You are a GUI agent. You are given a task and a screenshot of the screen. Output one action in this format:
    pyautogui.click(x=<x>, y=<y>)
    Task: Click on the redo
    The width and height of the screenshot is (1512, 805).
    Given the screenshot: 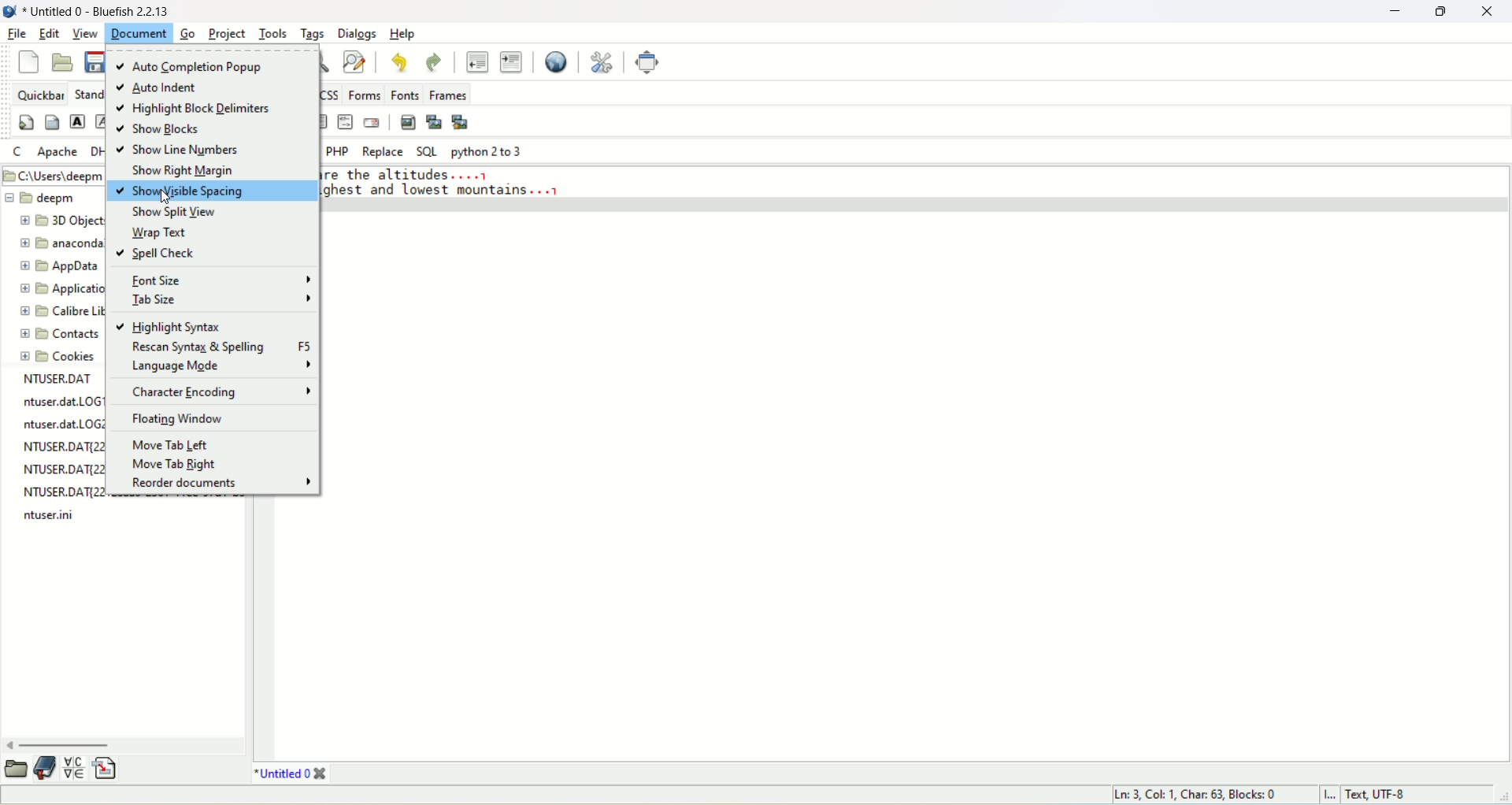 What is the action you would take?
    pyautogui.click(x=432, y=62)
    